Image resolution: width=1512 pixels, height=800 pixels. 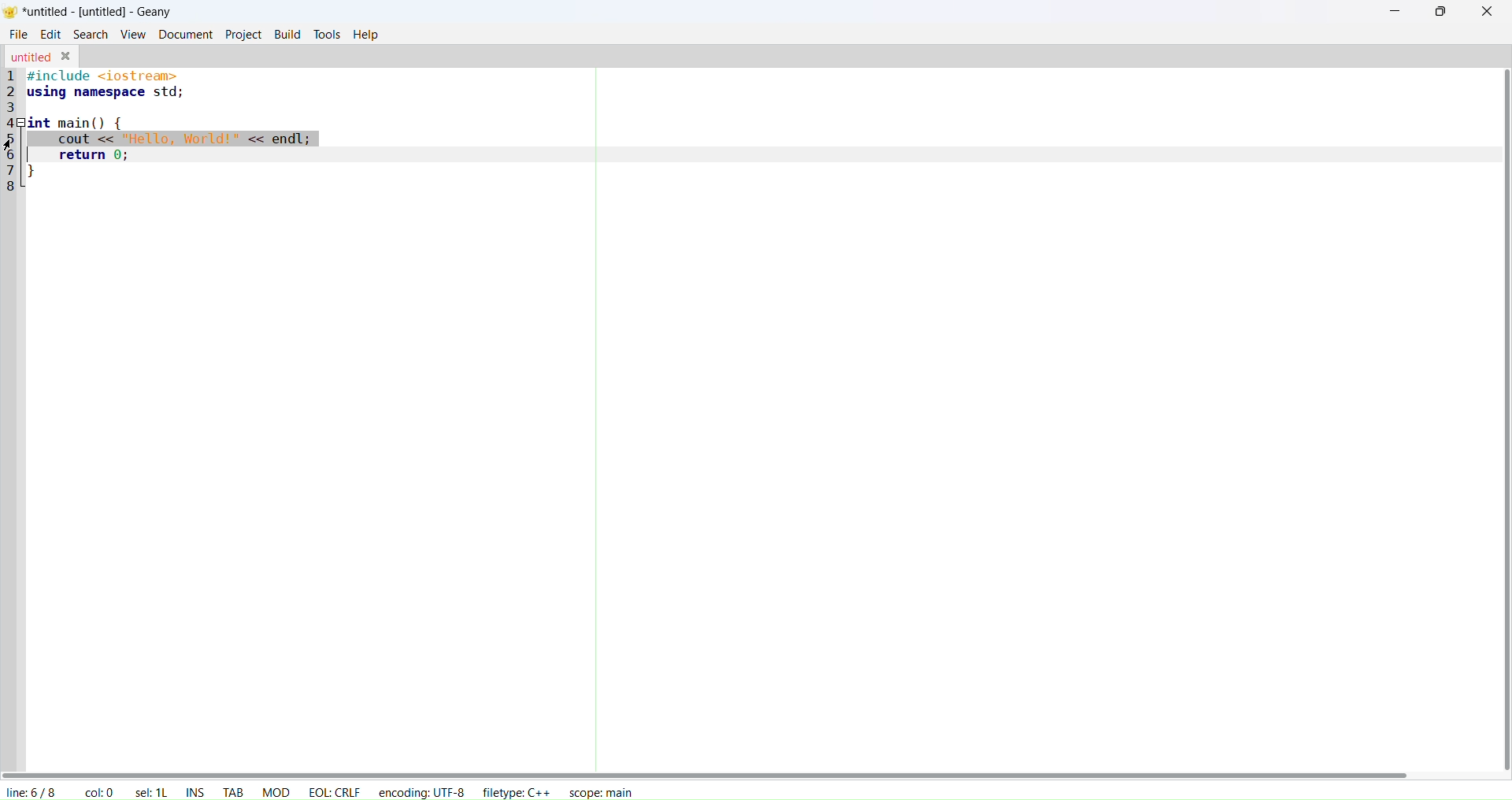 What do you see at coordinates (605, 792) in the screenshot?
I see `scope: main` at bounding box center [605, 792].